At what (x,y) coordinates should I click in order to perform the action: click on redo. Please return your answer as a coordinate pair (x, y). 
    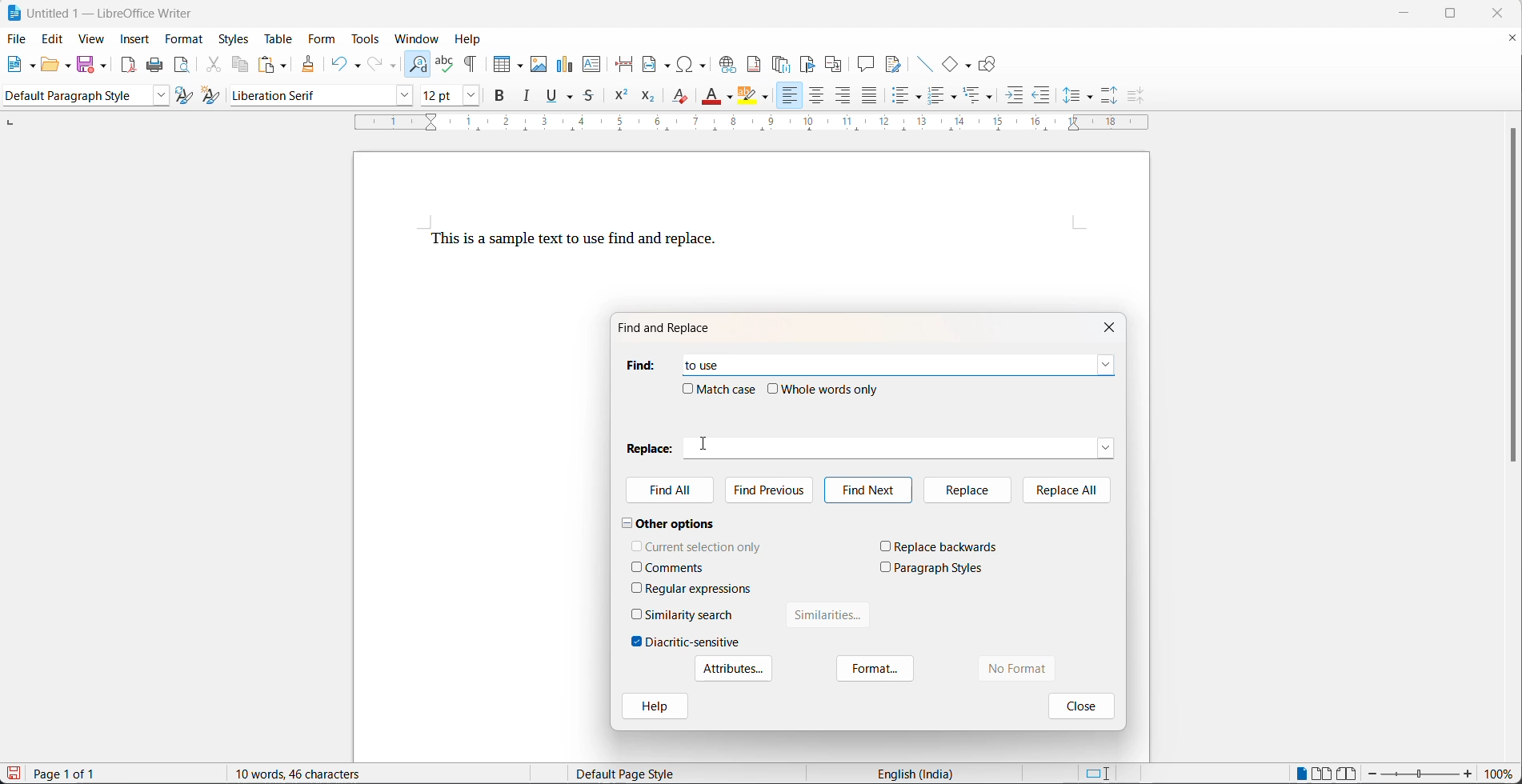
    Looking at the image, I should click on (376, 64).